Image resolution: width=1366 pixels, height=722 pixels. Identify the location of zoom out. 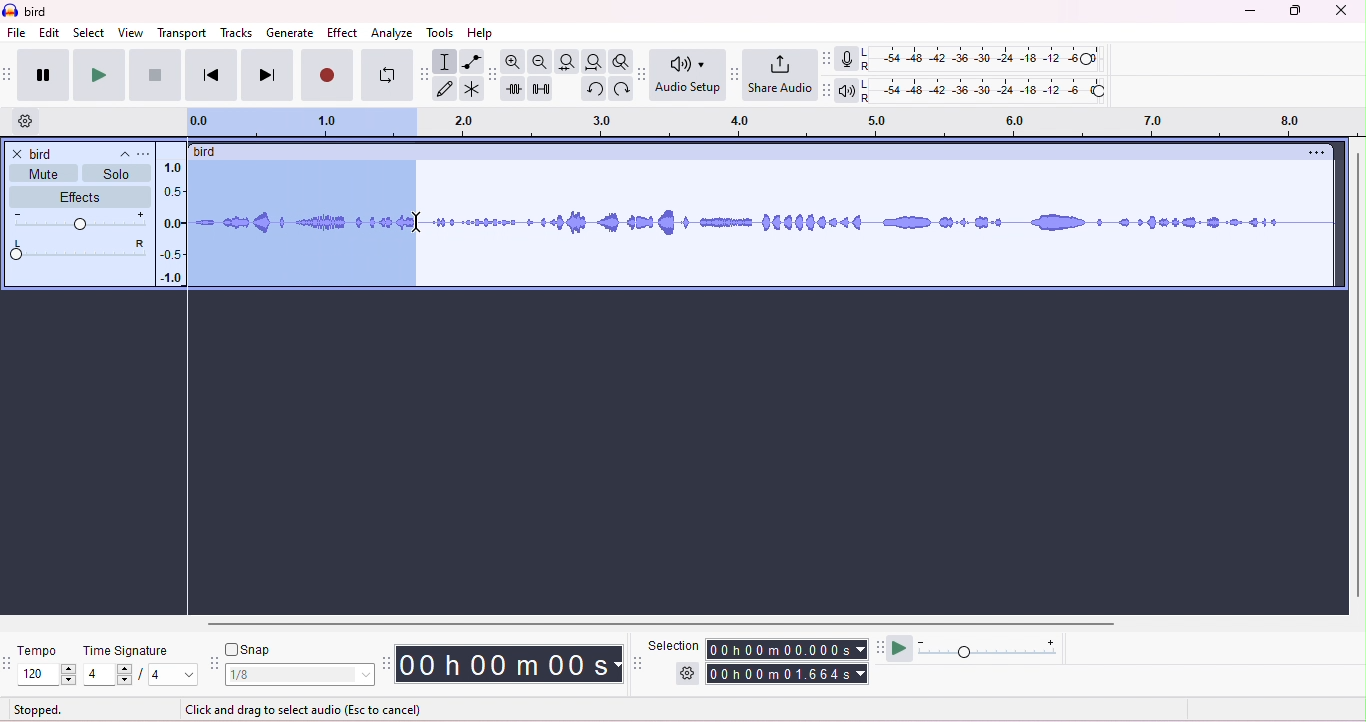
(540, 62).